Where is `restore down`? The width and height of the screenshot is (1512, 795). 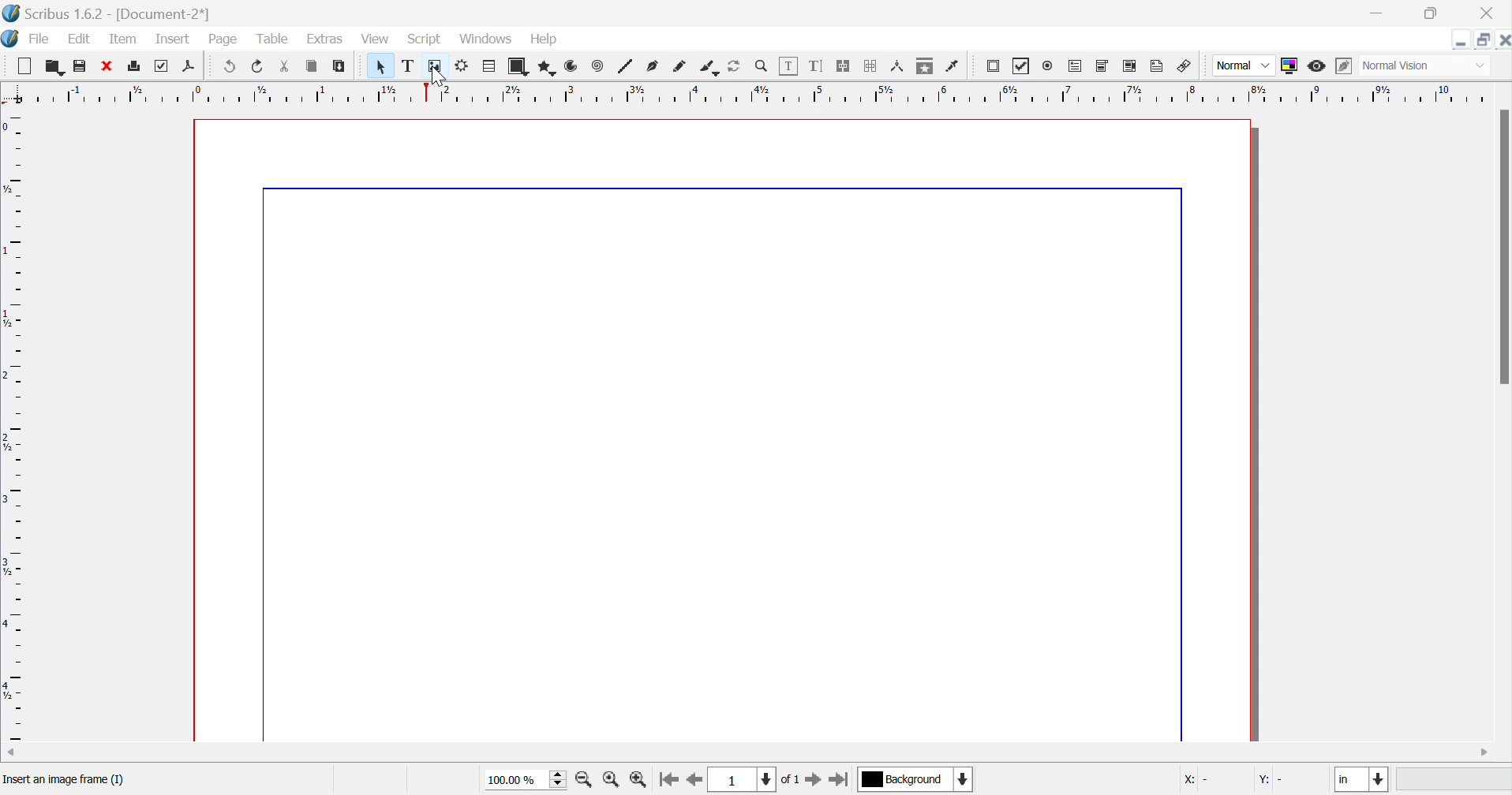
restore down is located at coordinates (1432, 15).